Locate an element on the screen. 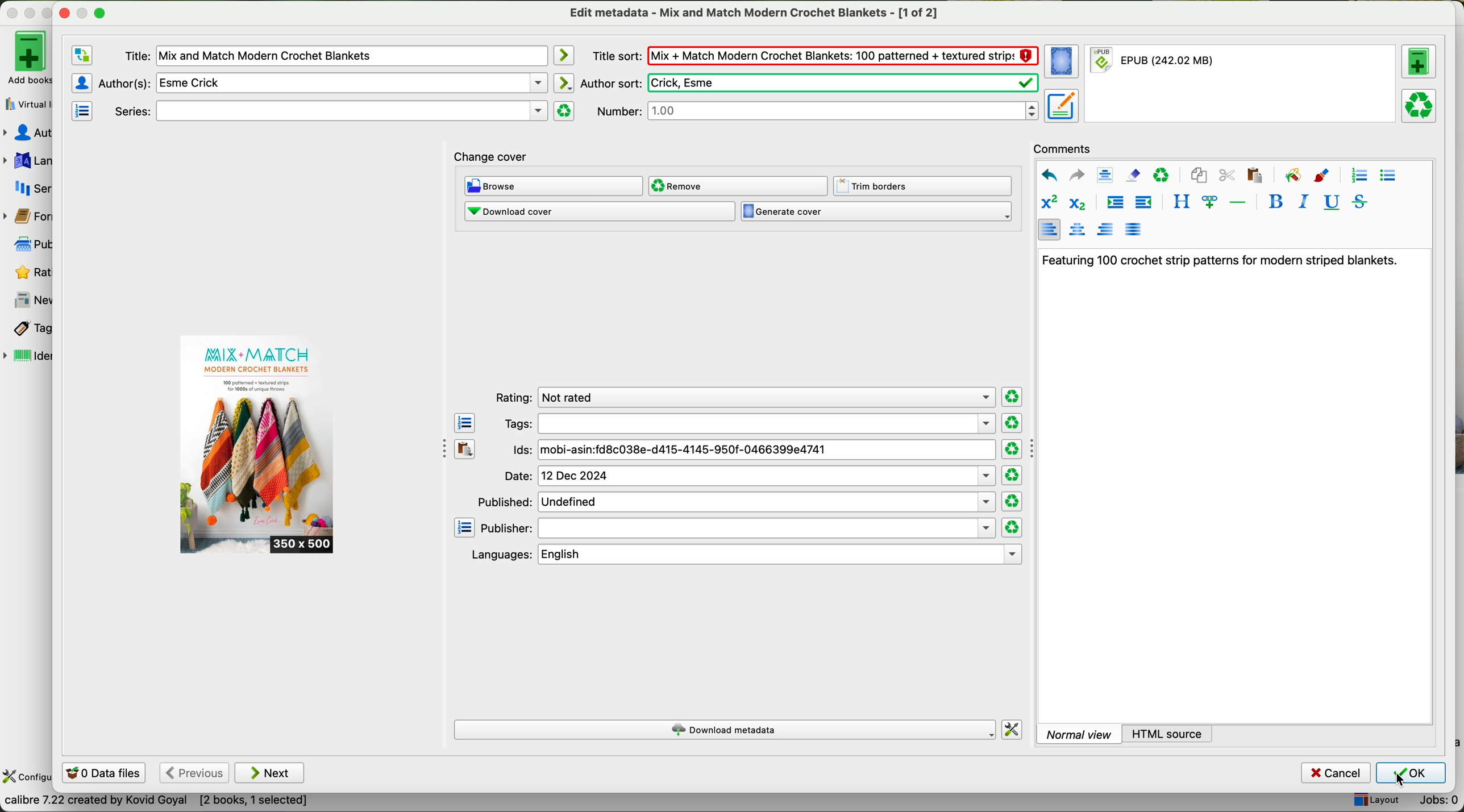 The width and height of the screenshot is (1464, 812). identifiers is located at coordinates (28, 357).